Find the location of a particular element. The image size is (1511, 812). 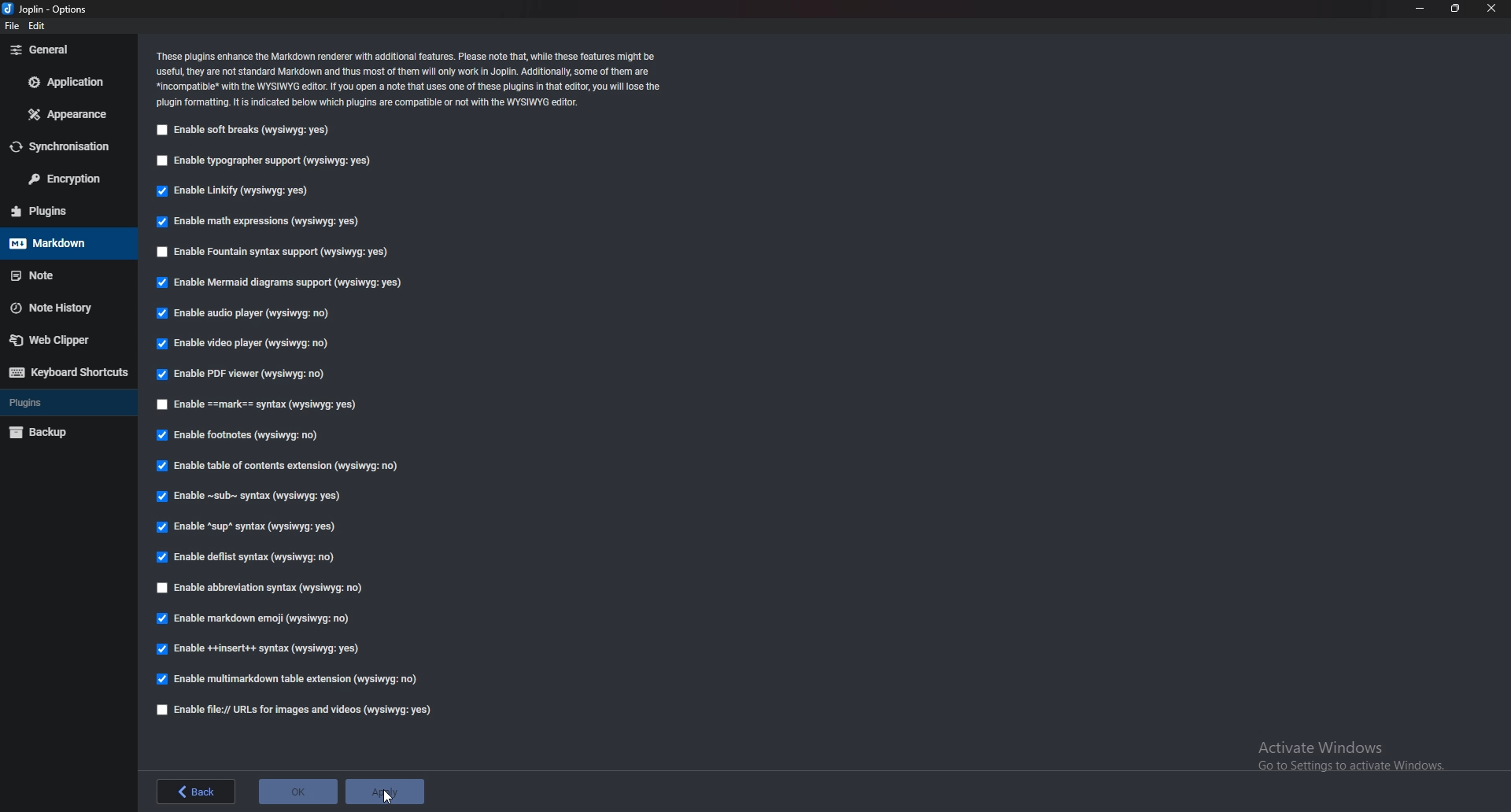

Appearance is located at coordinates (64, 113).